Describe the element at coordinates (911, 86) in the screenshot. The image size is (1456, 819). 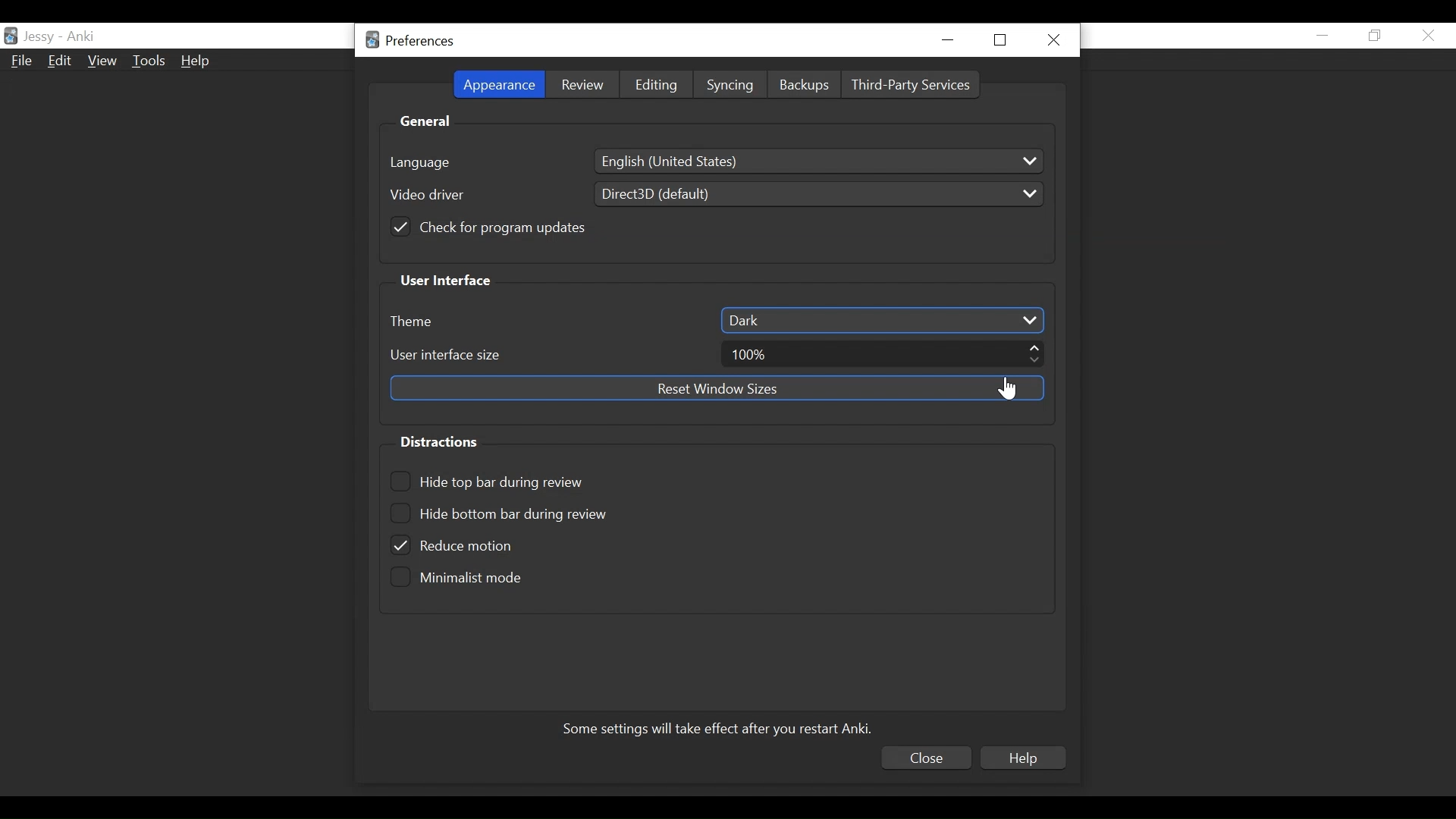
I see `Third Party Services` at that location.